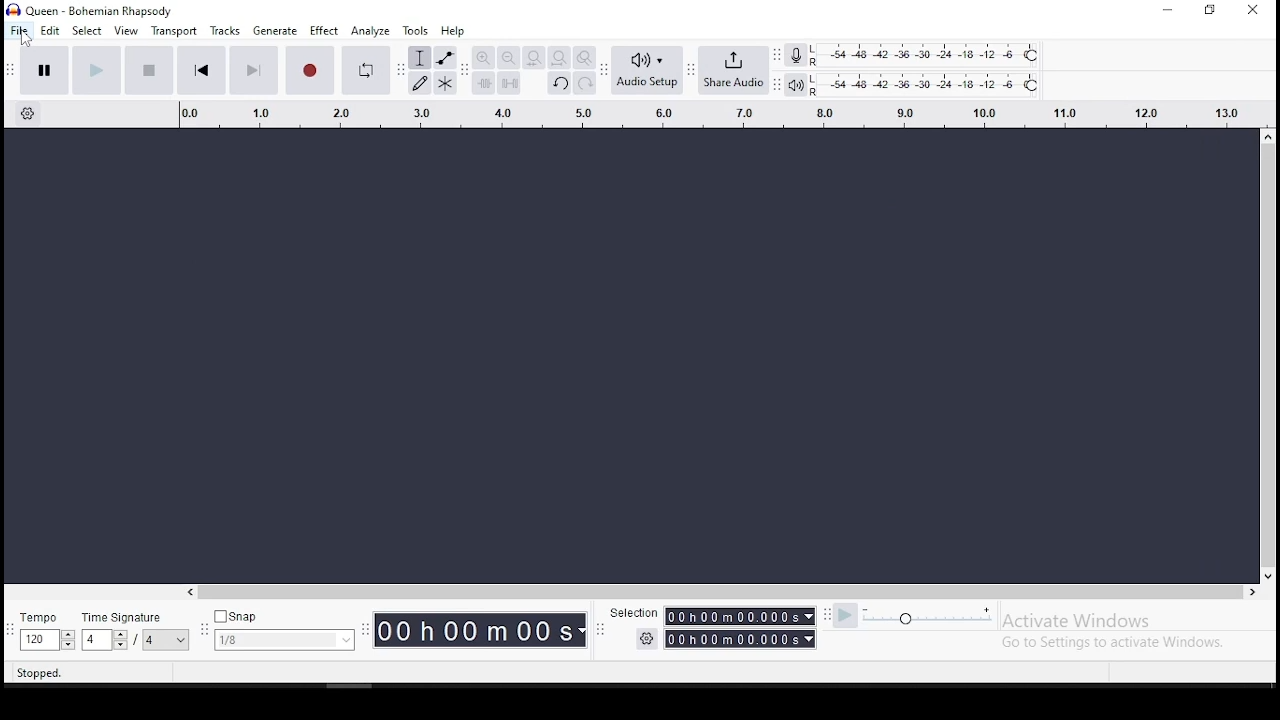  What do you see at coordinates (508, 58) in the screenshot?
I see `zoom out` at bounding box center [508, 58].